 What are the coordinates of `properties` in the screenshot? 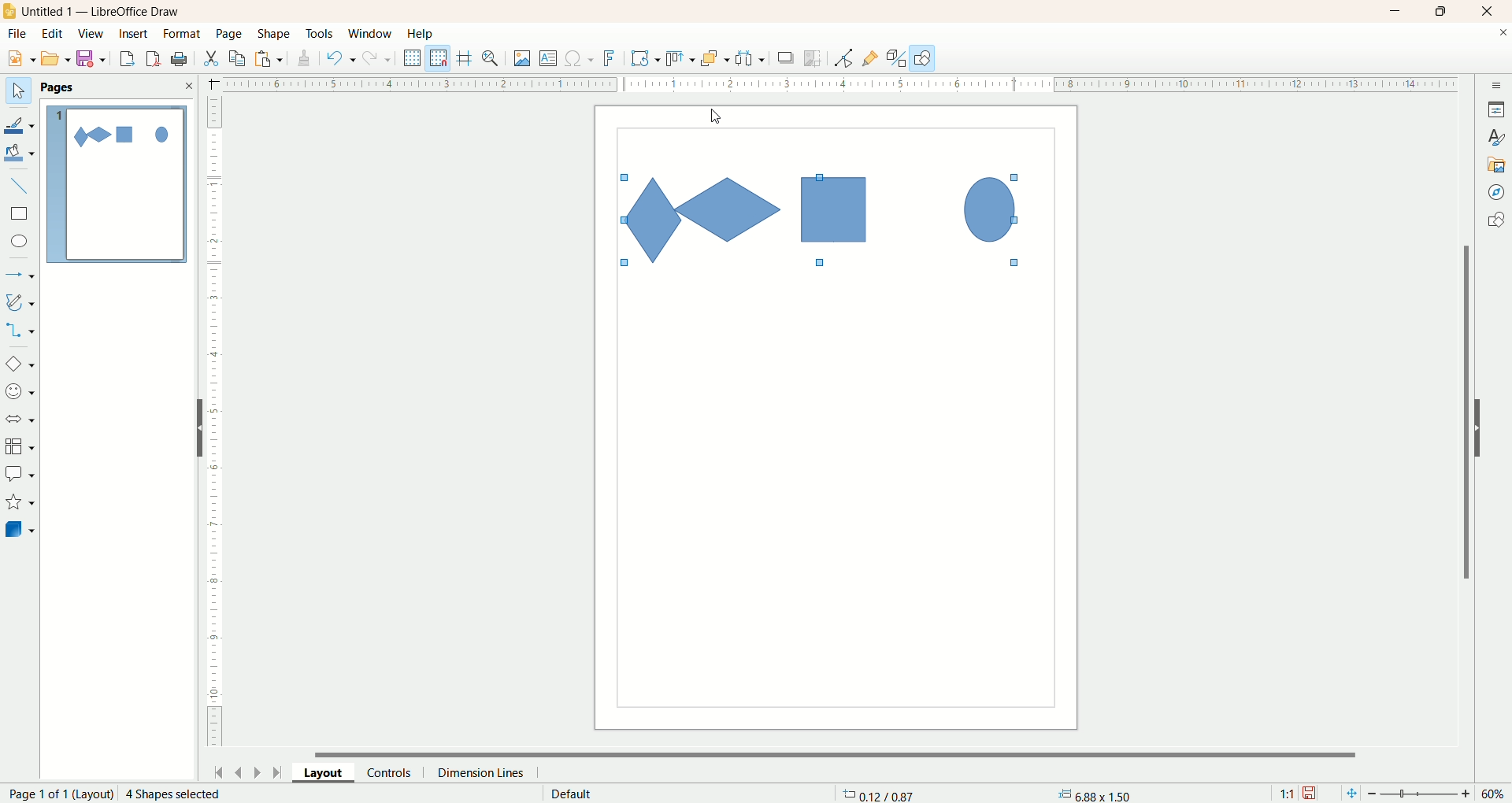 It's located at (1496, 109).